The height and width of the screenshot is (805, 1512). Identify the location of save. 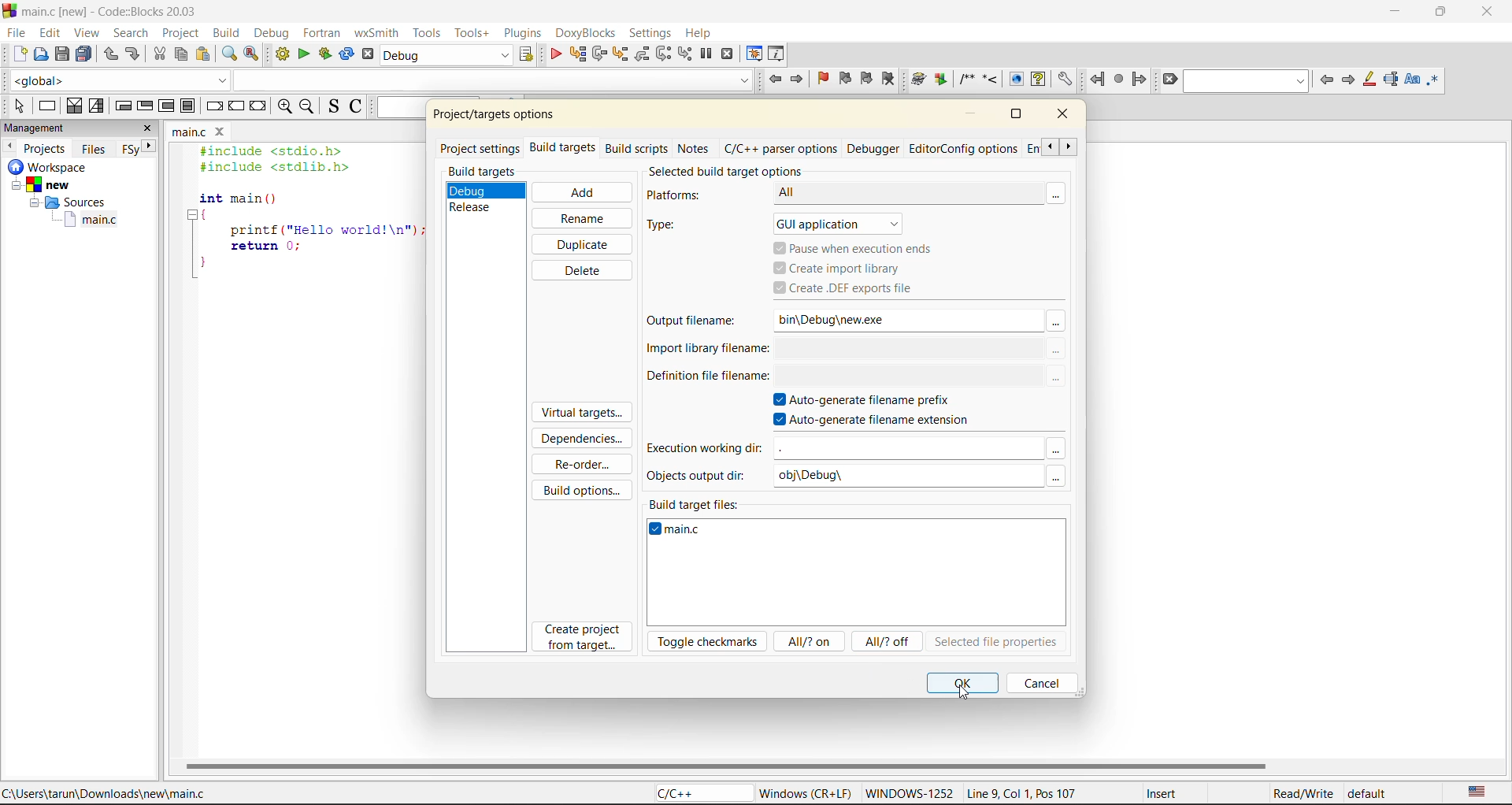
(61, 54).